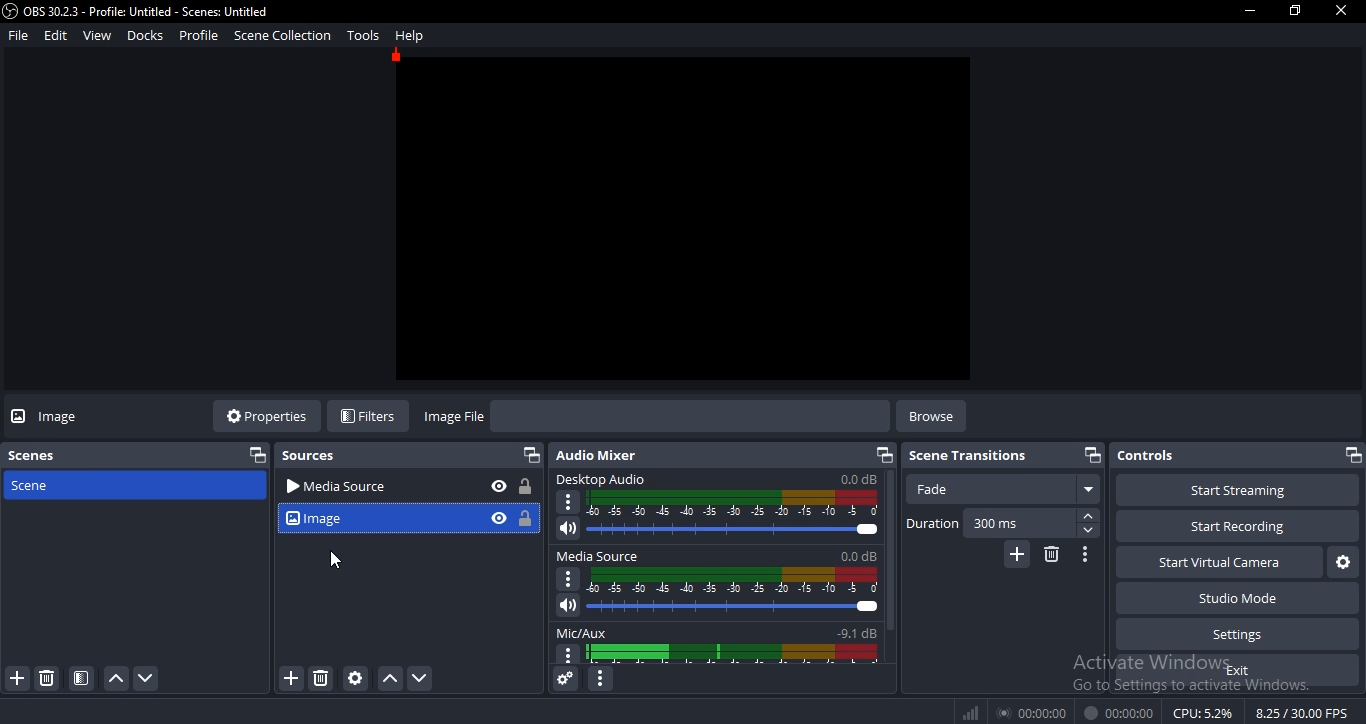  What do you see at coordinates (598, 456) in the screenshot?
I see `audio mixer` at bounding box center [598, 456].